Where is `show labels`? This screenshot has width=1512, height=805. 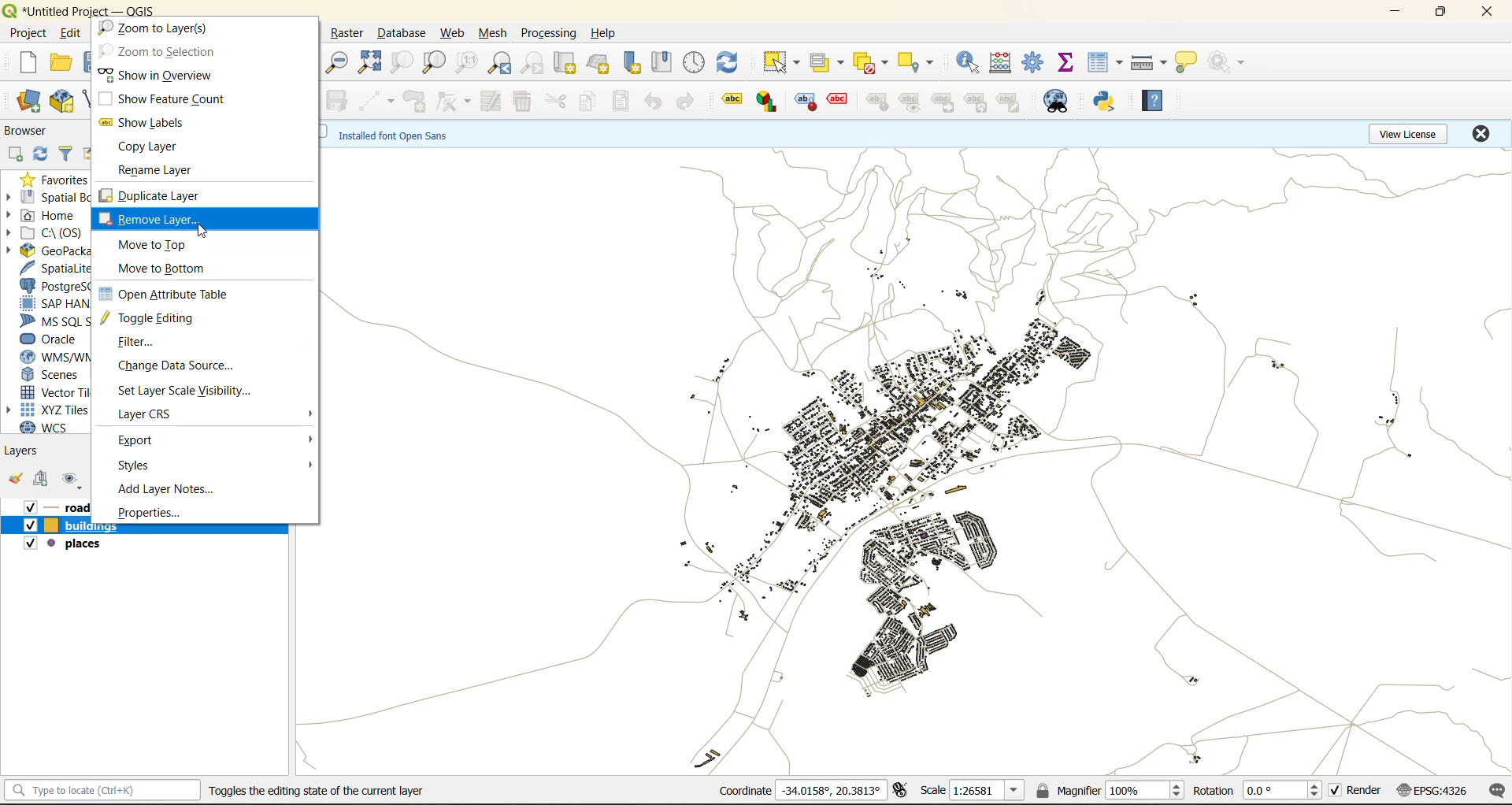 show labels is located at coordinates (160, 124).